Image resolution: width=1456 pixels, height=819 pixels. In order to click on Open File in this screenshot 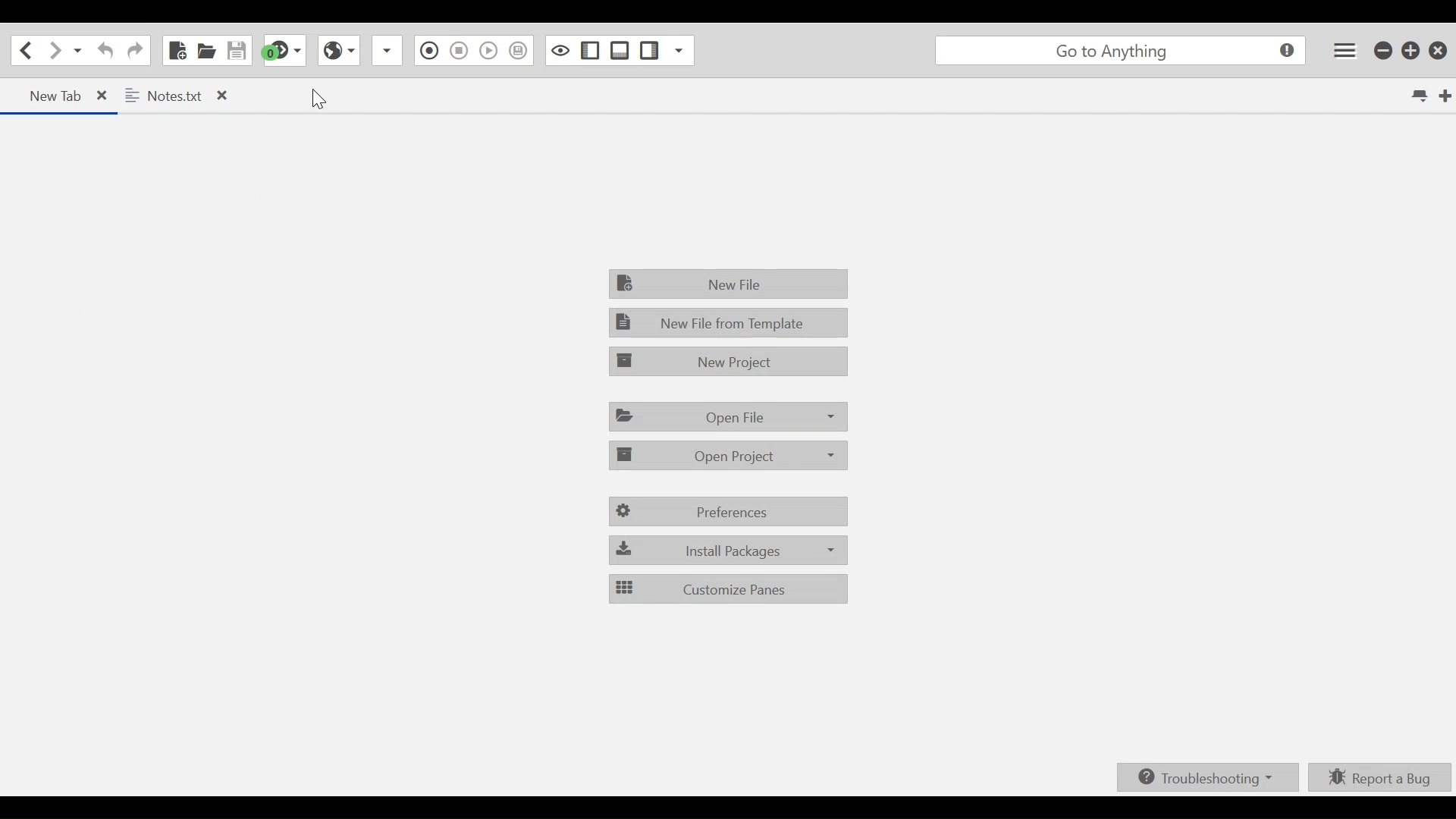, I will do `click(727, 417)`.